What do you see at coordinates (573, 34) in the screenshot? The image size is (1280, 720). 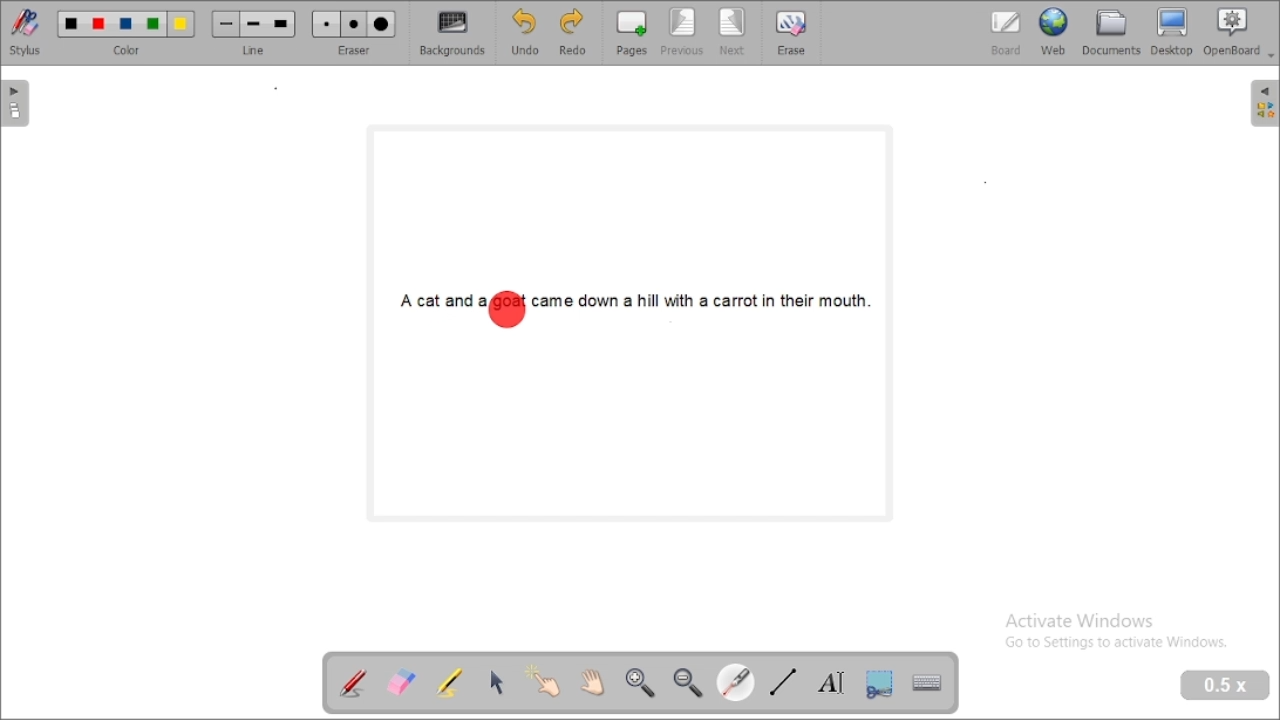 I see `redo` at bounding box center [573, 34].